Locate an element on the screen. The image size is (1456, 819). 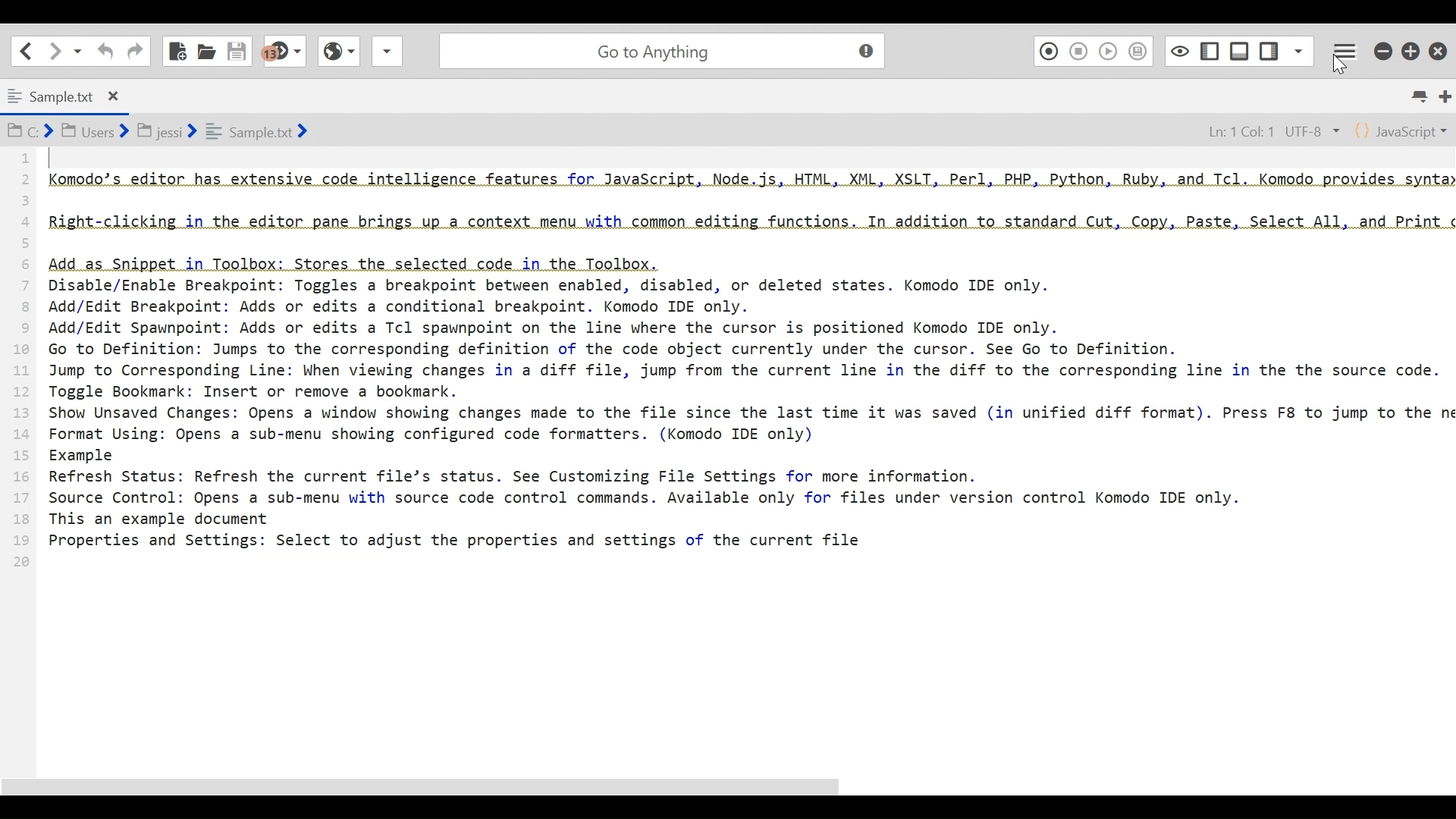
List all tabs is located at coordinates (1423, 96).